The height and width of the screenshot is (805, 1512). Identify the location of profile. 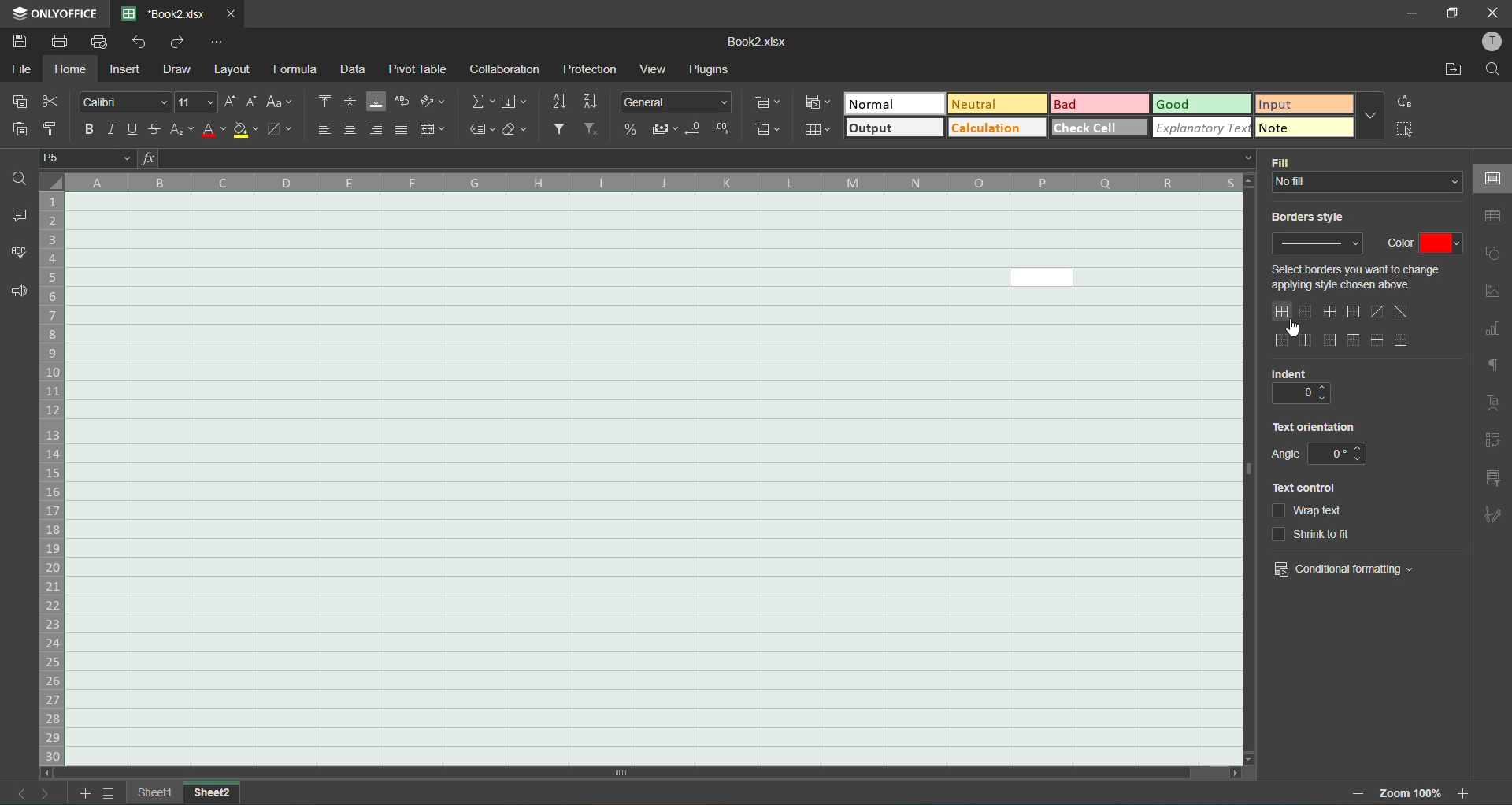
(1489, 42).